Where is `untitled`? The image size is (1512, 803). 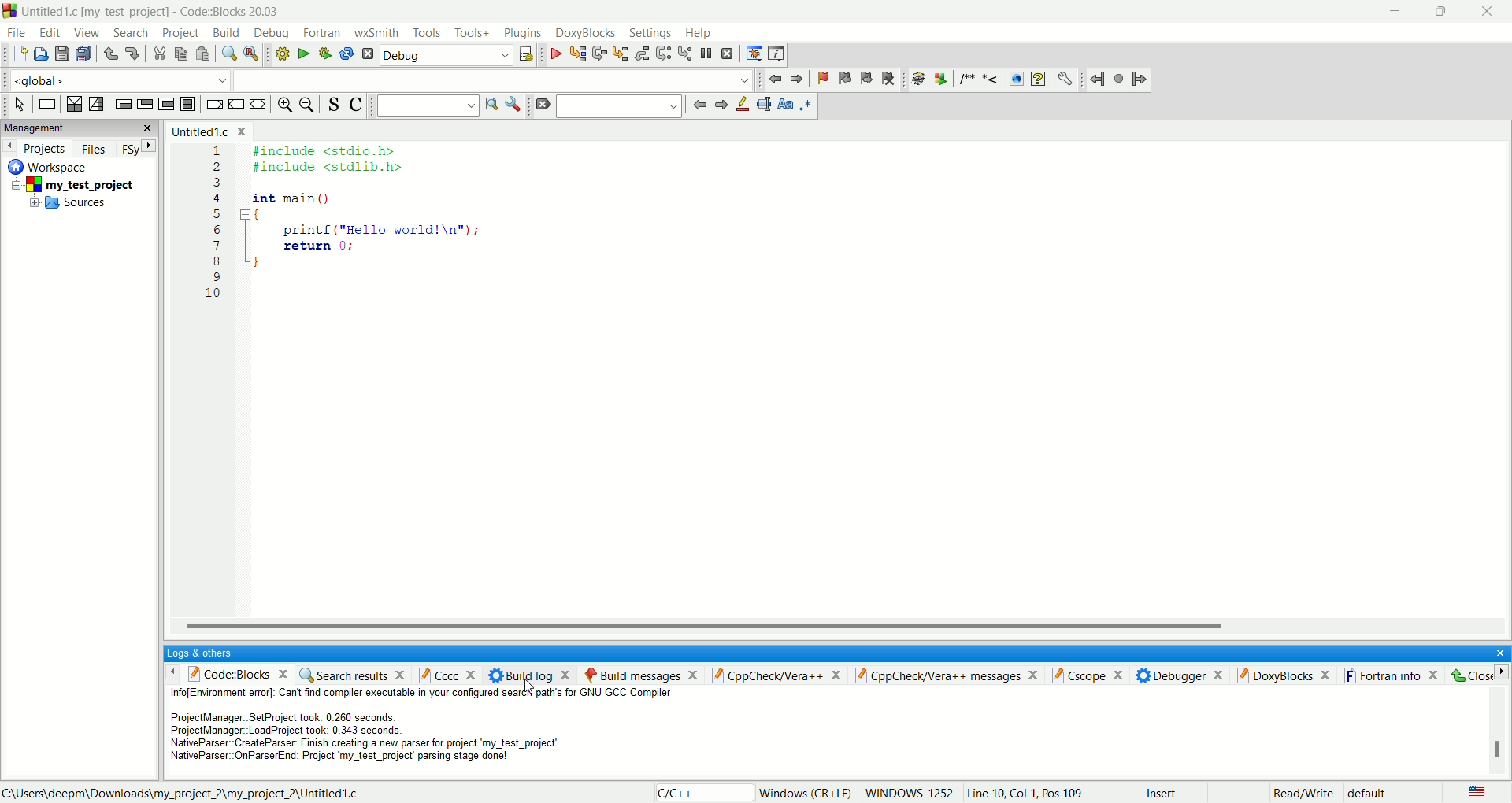
untitled is located at coordinates (209, 131).